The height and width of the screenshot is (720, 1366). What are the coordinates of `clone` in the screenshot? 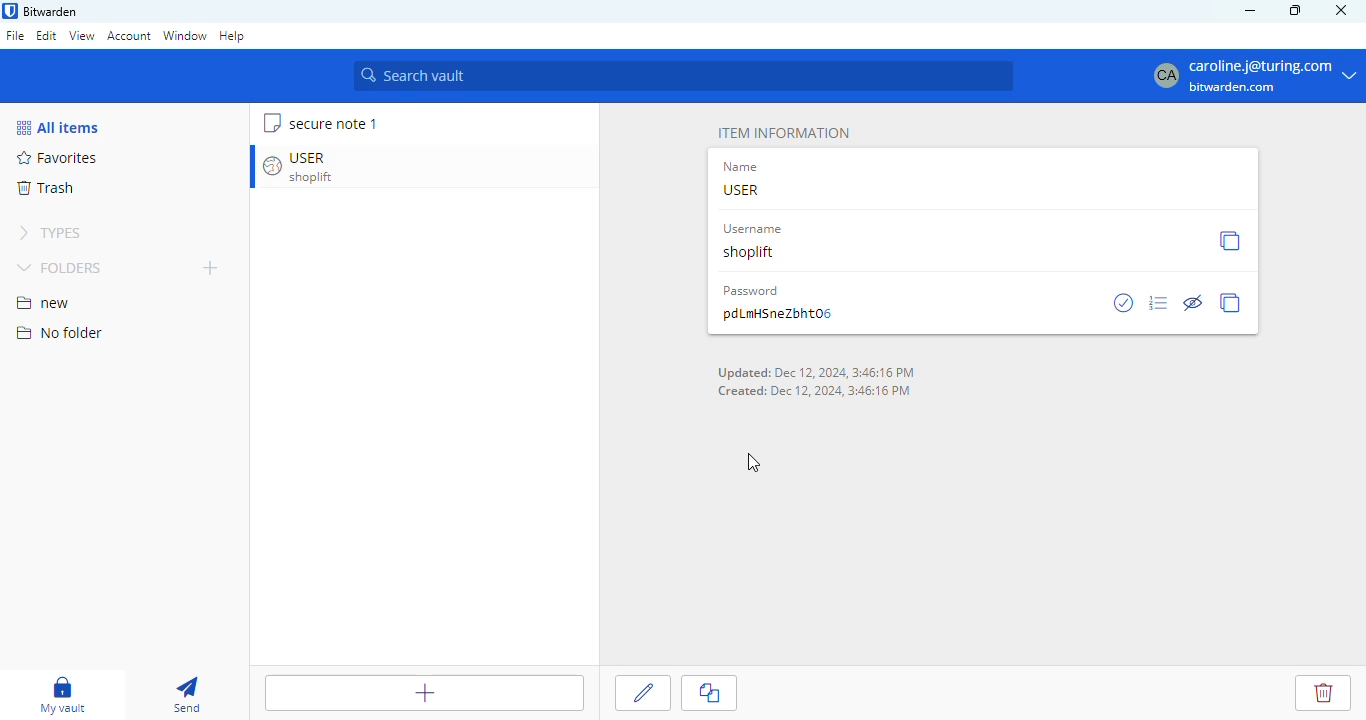 It's located at (709, 693).